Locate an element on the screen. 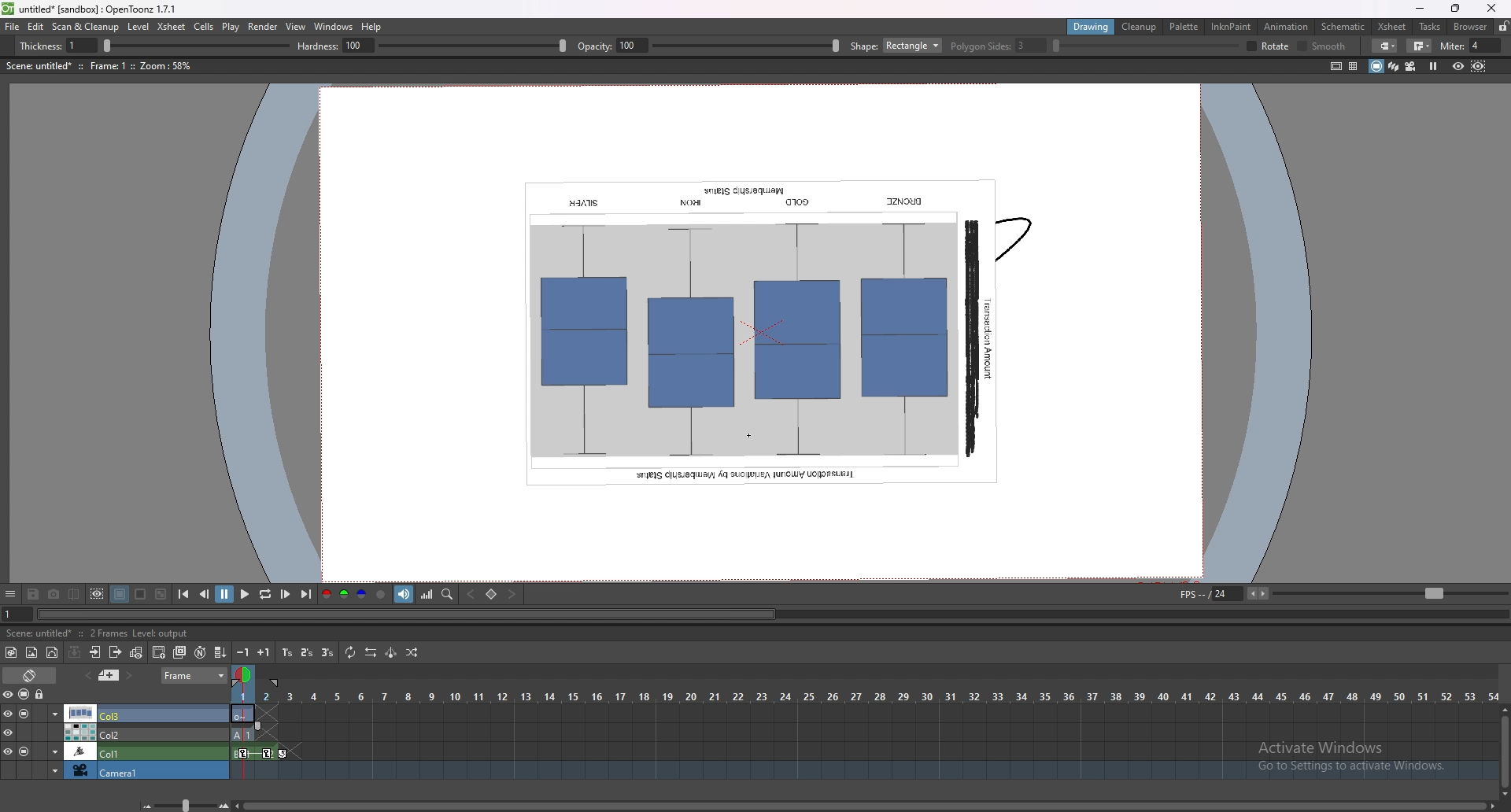 Image resolution: width=1511 pixels, height=812 pixels. duplicate drawing is located at coordinates (181, 652).